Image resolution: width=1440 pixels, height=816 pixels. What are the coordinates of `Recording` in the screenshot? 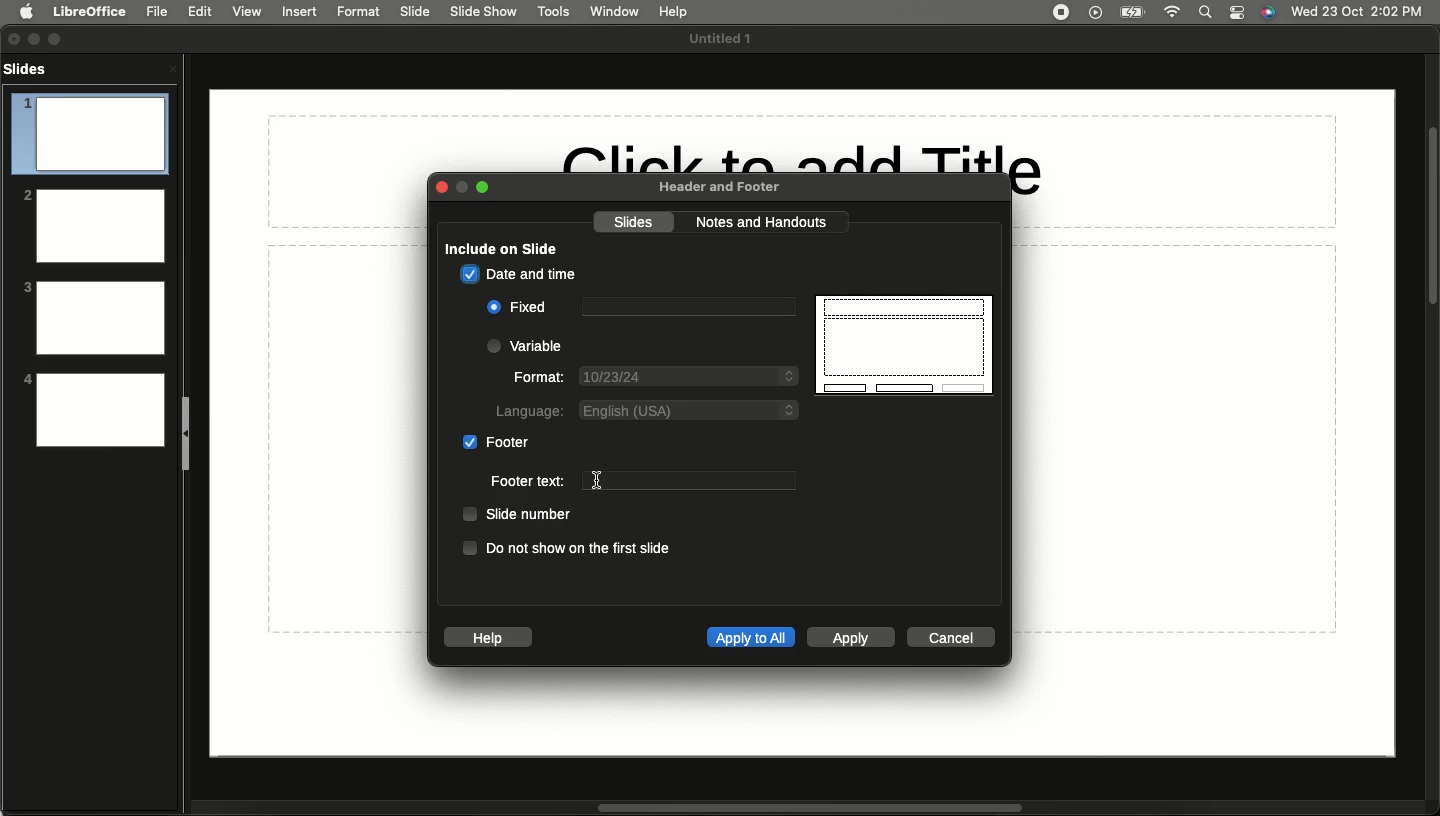 It's located at (1060, 11).